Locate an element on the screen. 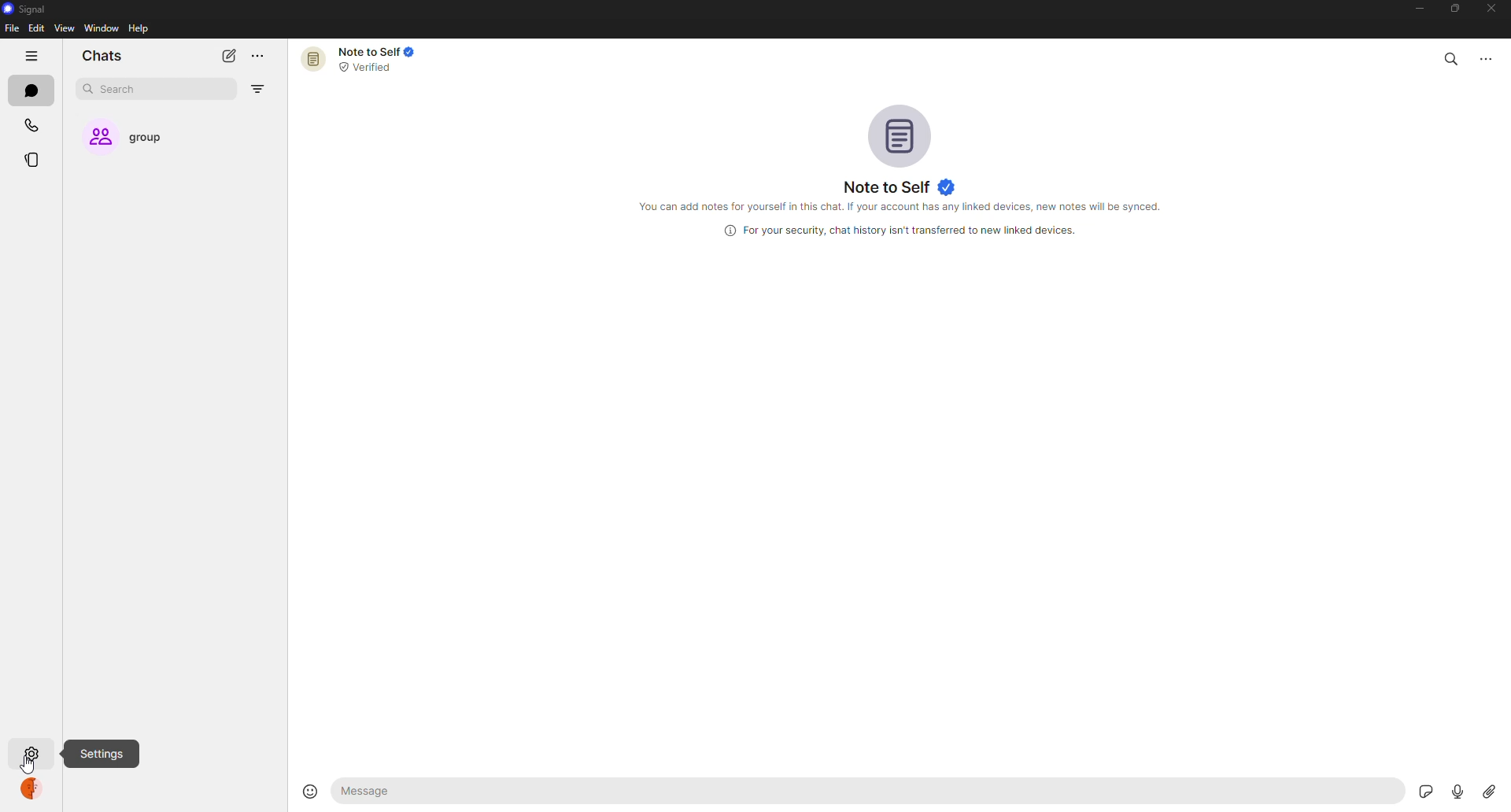 This screenshot has height=812, width=1511. help is located at coordinates (140, 28).